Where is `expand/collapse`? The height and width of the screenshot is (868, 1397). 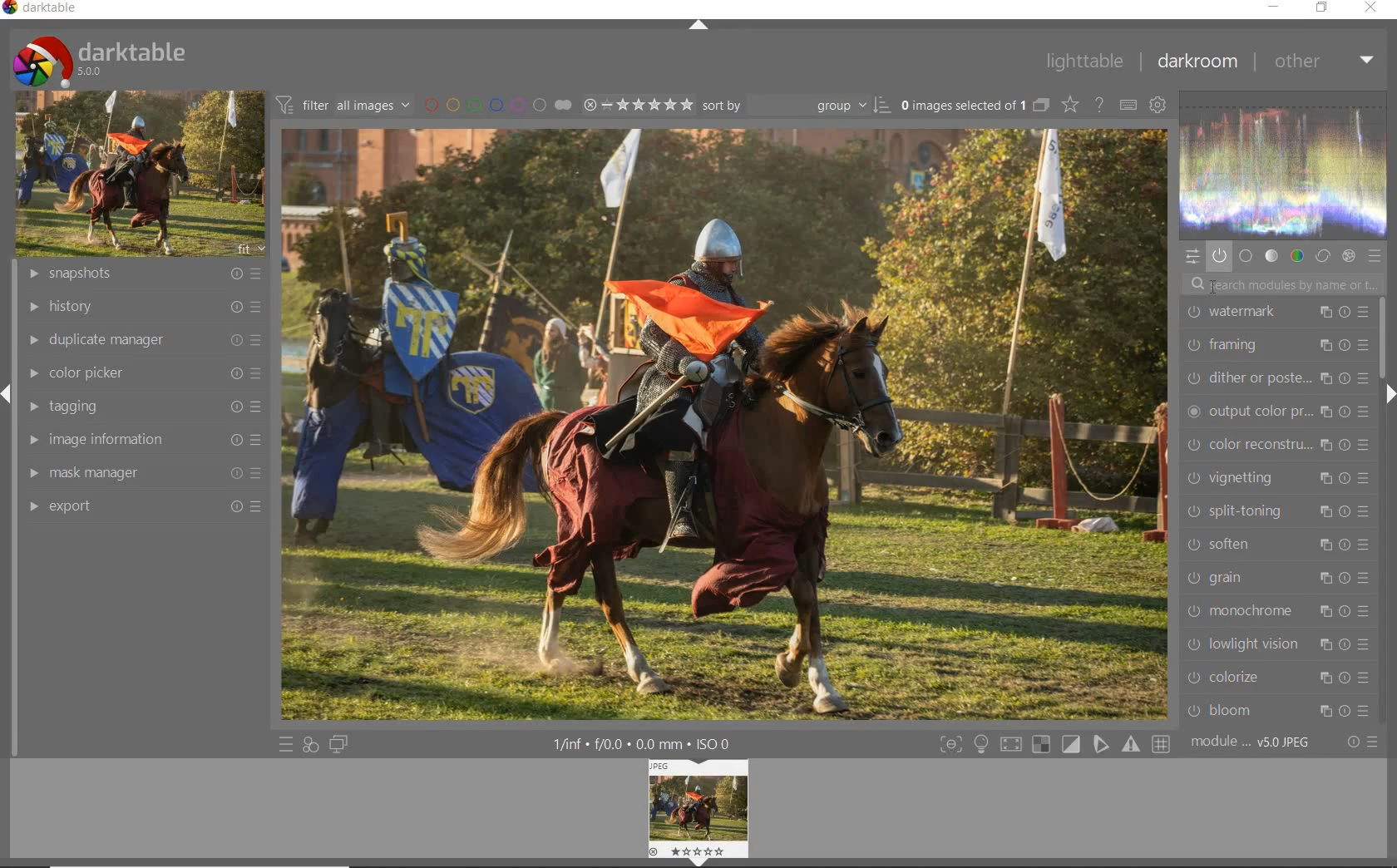
expand/collapse is located at coordinates (1389, 394).